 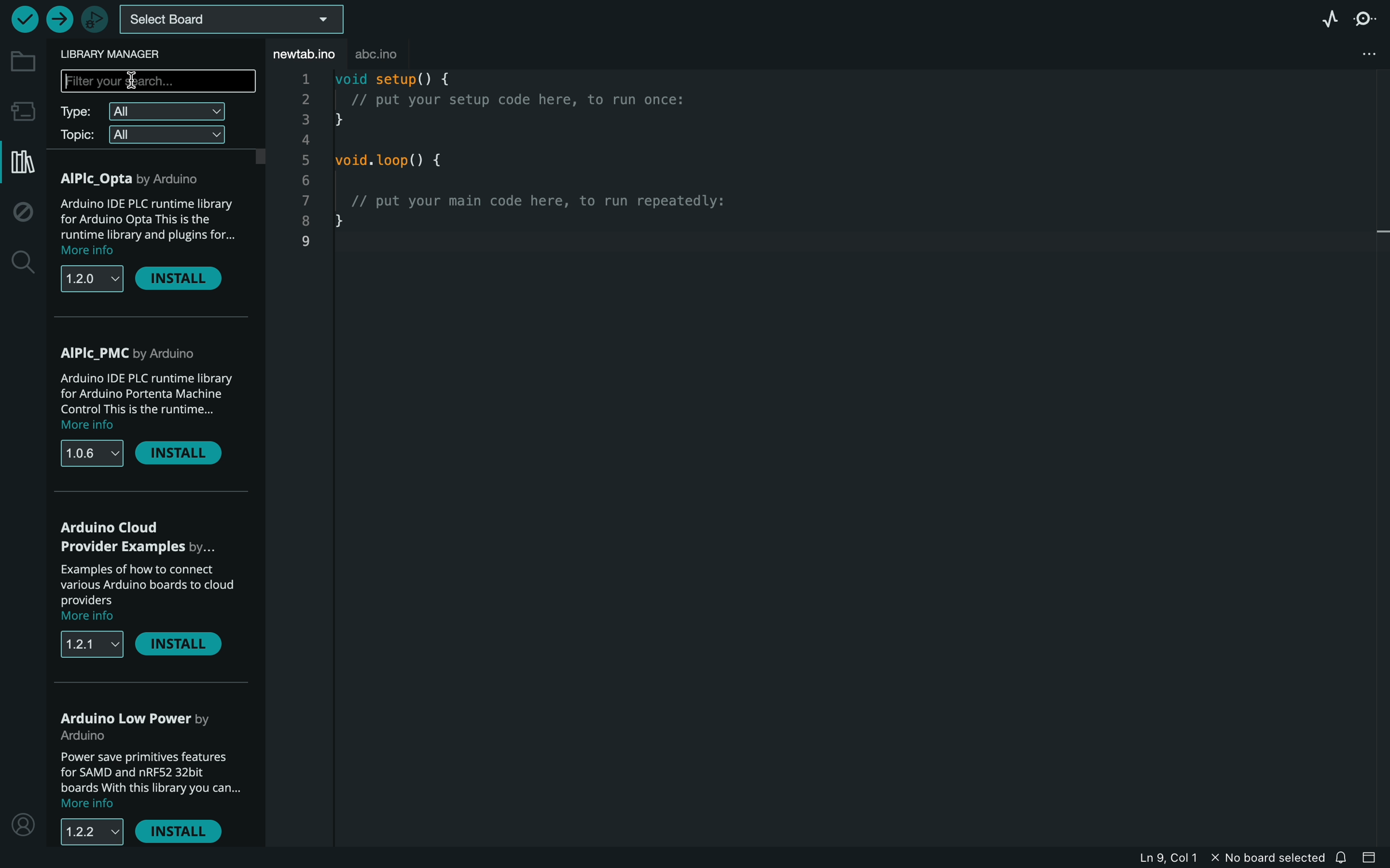 I want to click on debugger, so click(x=96, y=18).